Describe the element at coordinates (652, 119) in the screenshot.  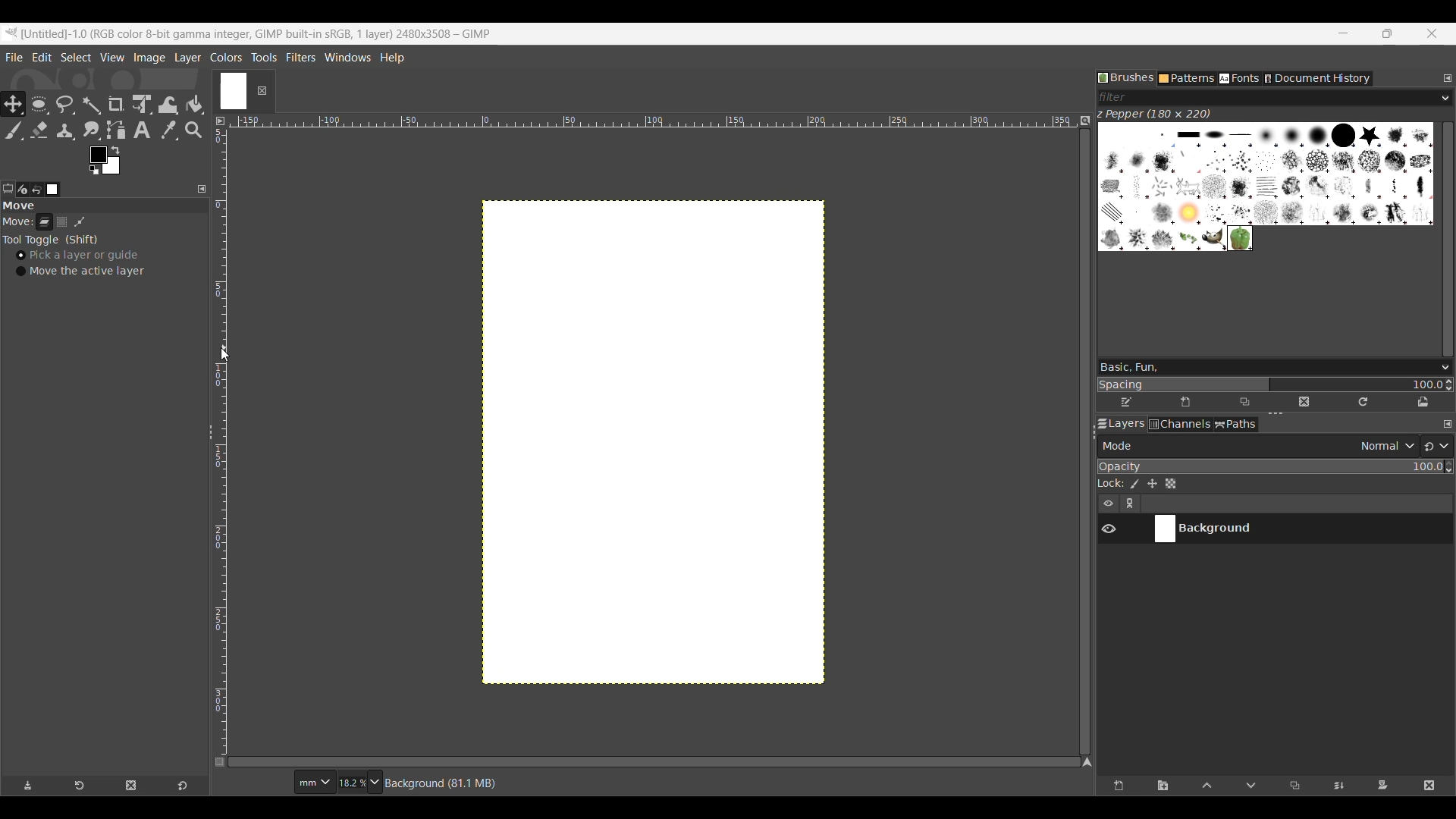
I see `Horizontal euler` at that location.